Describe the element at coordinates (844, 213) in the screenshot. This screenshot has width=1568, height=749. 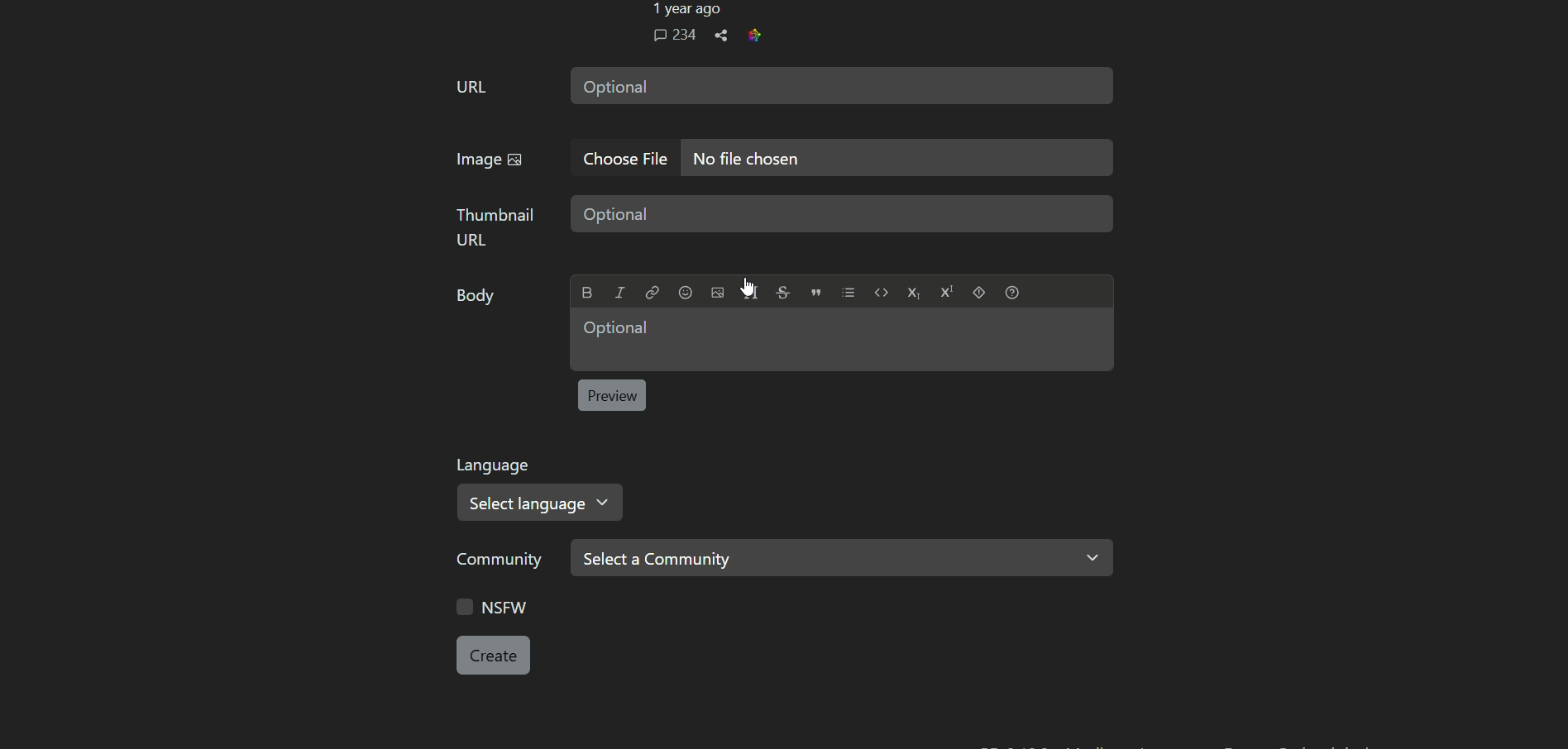
I see `text box` at that location.